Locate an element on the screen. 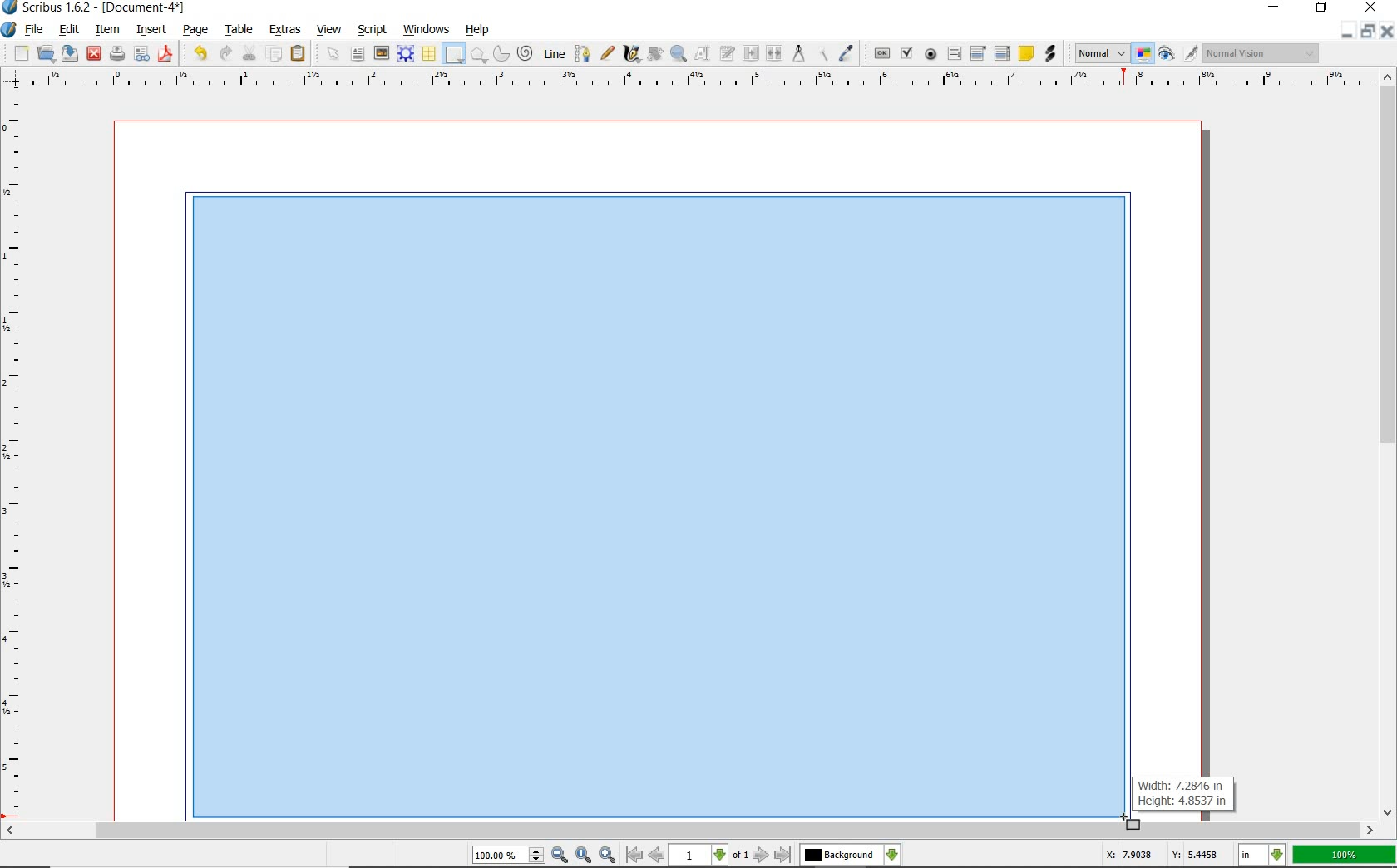  page is located at coordinates (197, 31).